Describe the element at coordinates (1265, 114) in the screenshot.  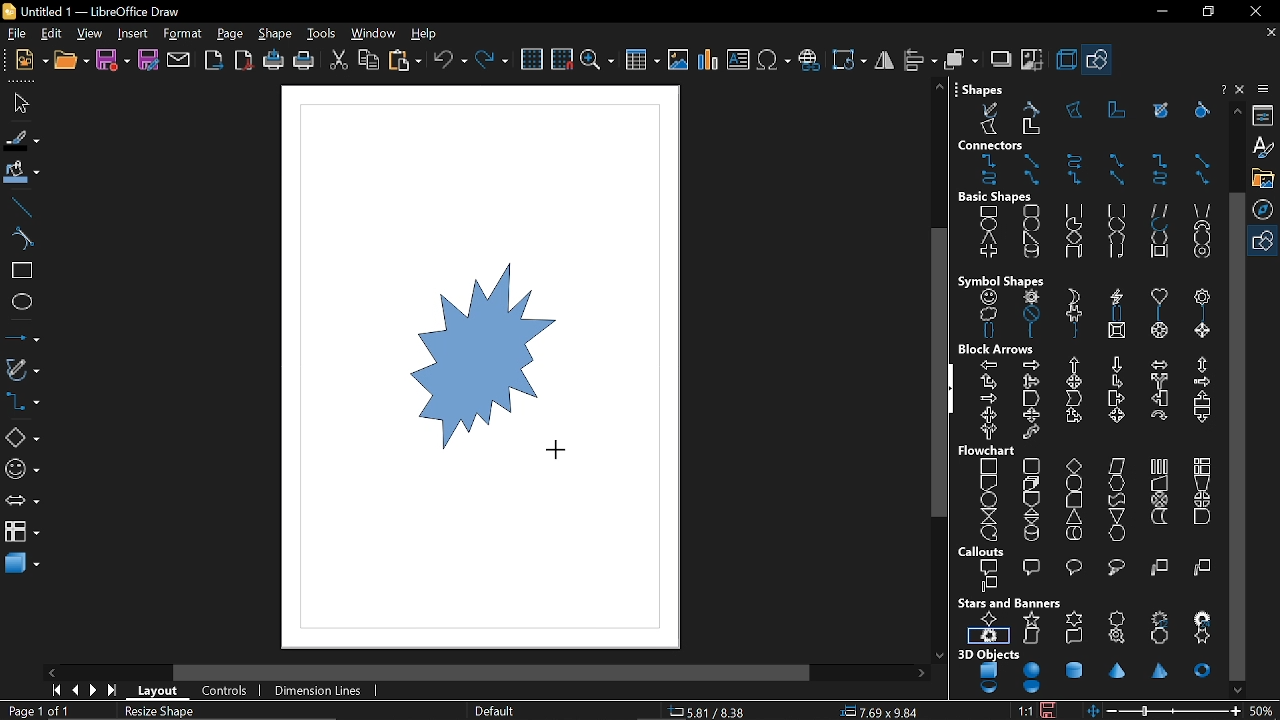
I see `Properties` at that location.